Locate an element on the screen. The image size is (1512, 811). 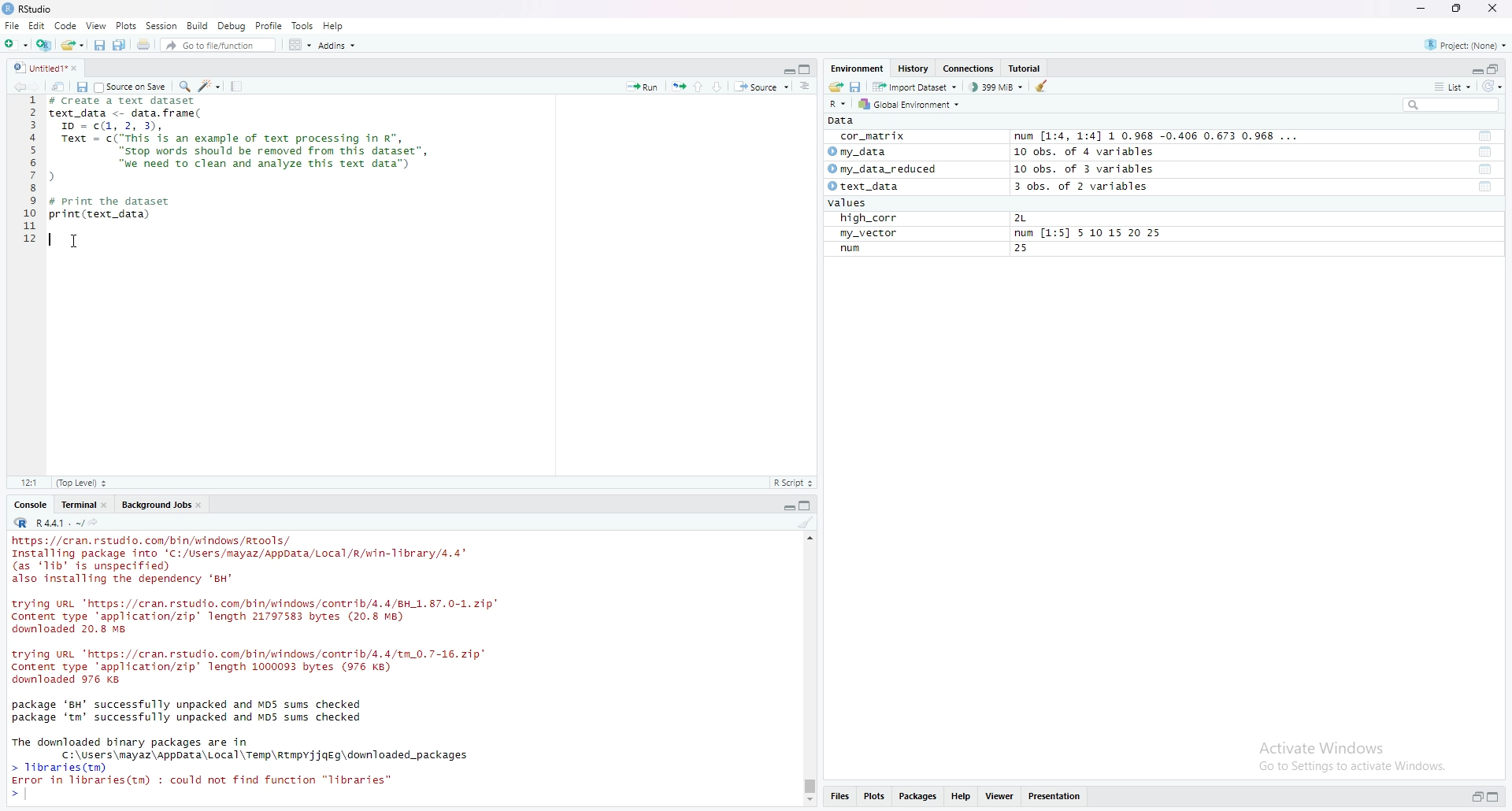
addins is located at coordinates (339, 46).